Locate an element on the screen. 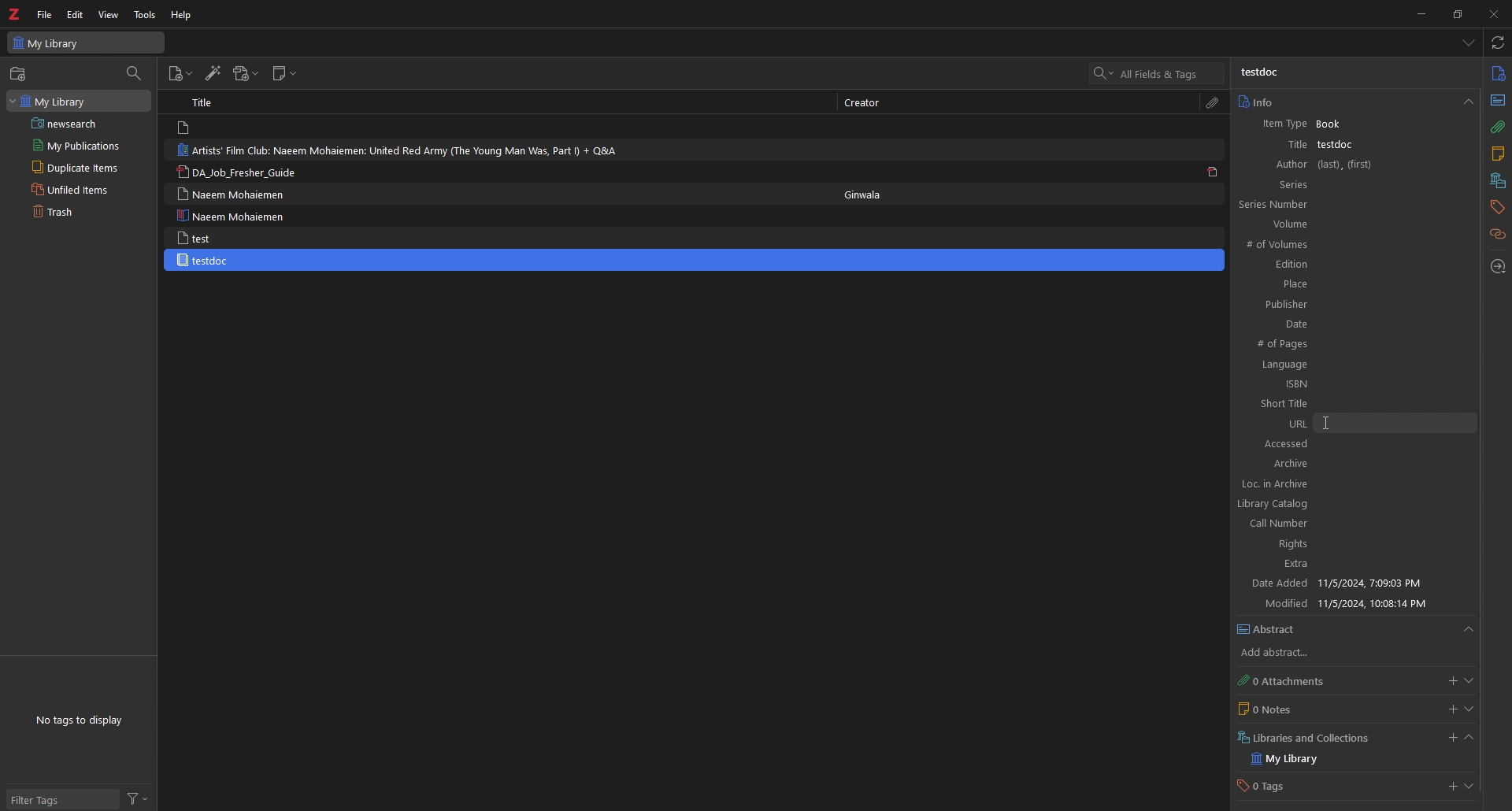 This screenshot has width=1512, height=811. Libraries and Collections is located at coordinates (1310, 738).